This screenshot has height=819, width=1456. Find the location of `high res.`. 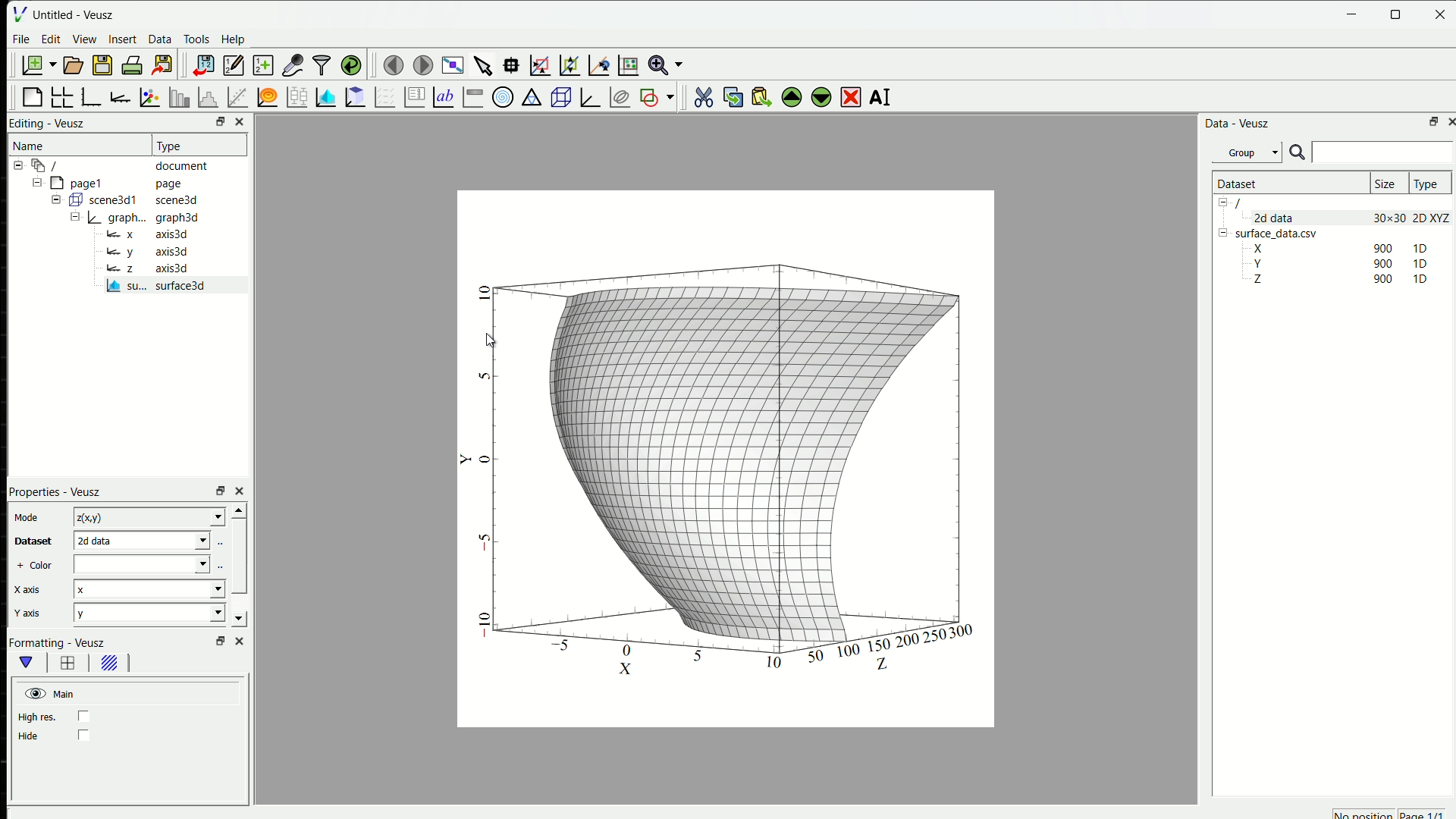

high res. is located at coordinates (38, 718).